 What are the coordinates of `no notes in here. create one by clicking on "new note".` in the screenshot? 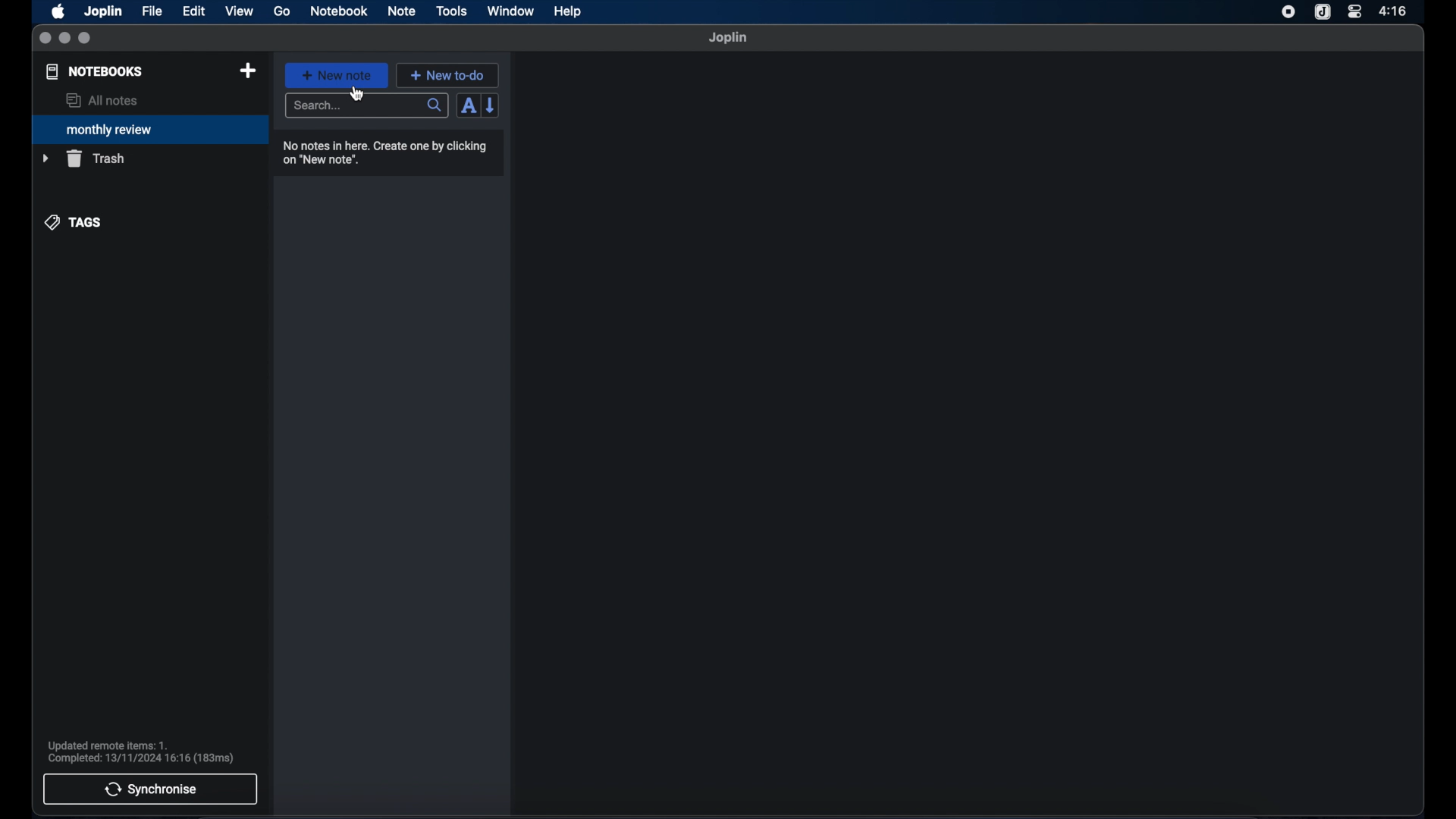 It's located at (384, 153).